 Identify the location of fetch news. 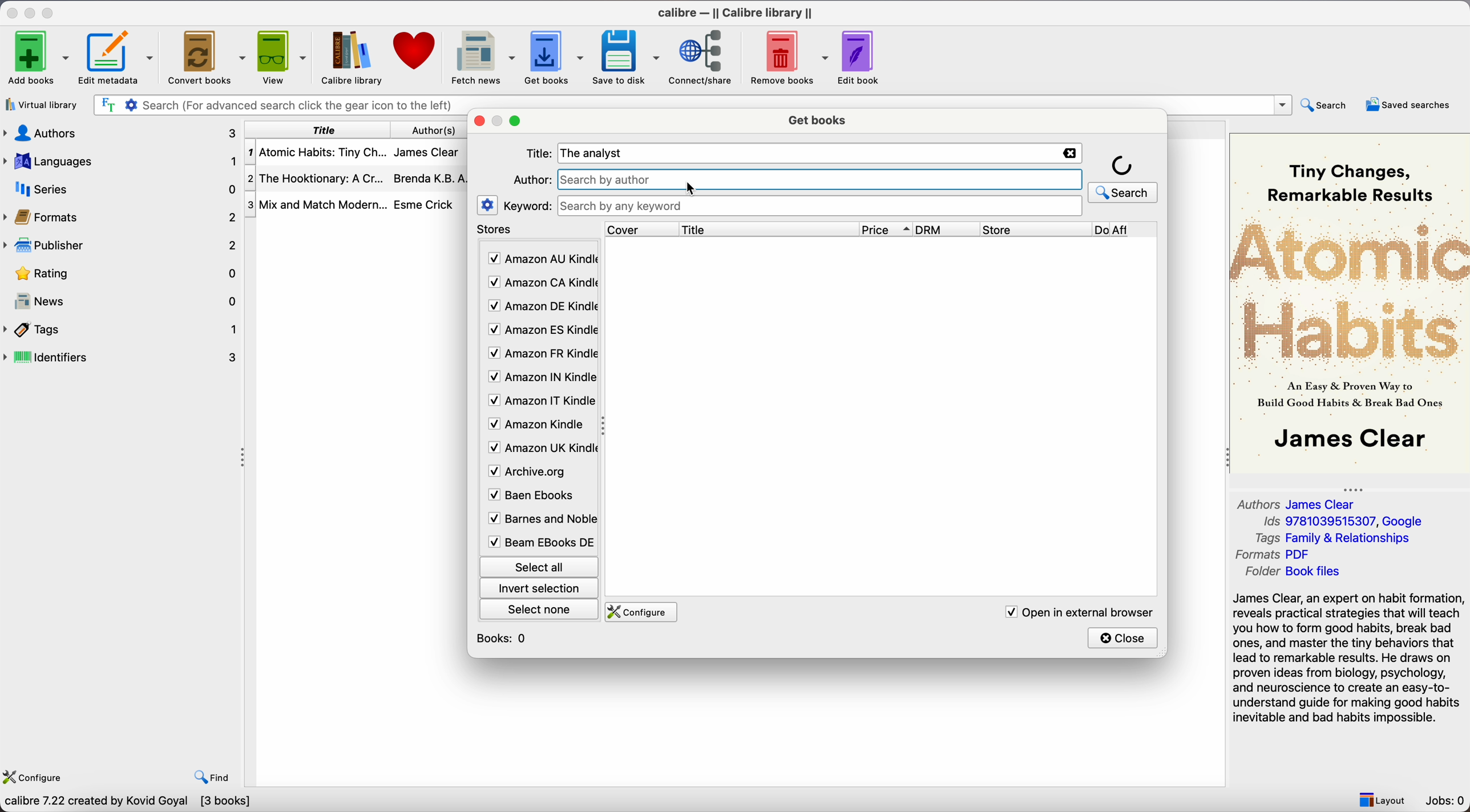
(479, 56).